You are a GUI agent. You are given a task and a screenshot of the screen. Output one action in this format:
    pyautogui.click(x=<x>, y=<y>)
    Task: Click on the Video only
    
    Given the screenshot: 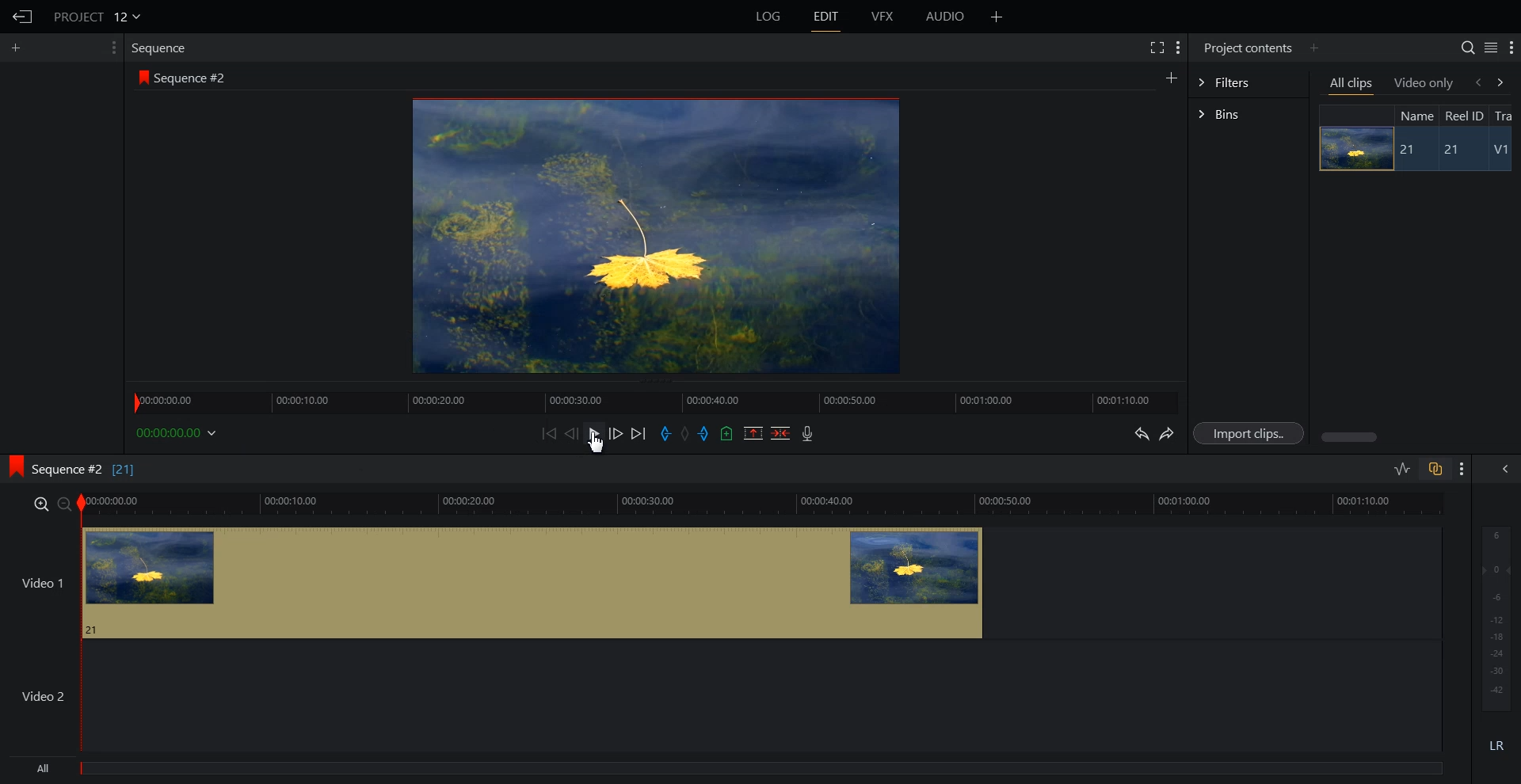 What is the action you would take?
    pyautogui.click(x=1424, y=82)
    